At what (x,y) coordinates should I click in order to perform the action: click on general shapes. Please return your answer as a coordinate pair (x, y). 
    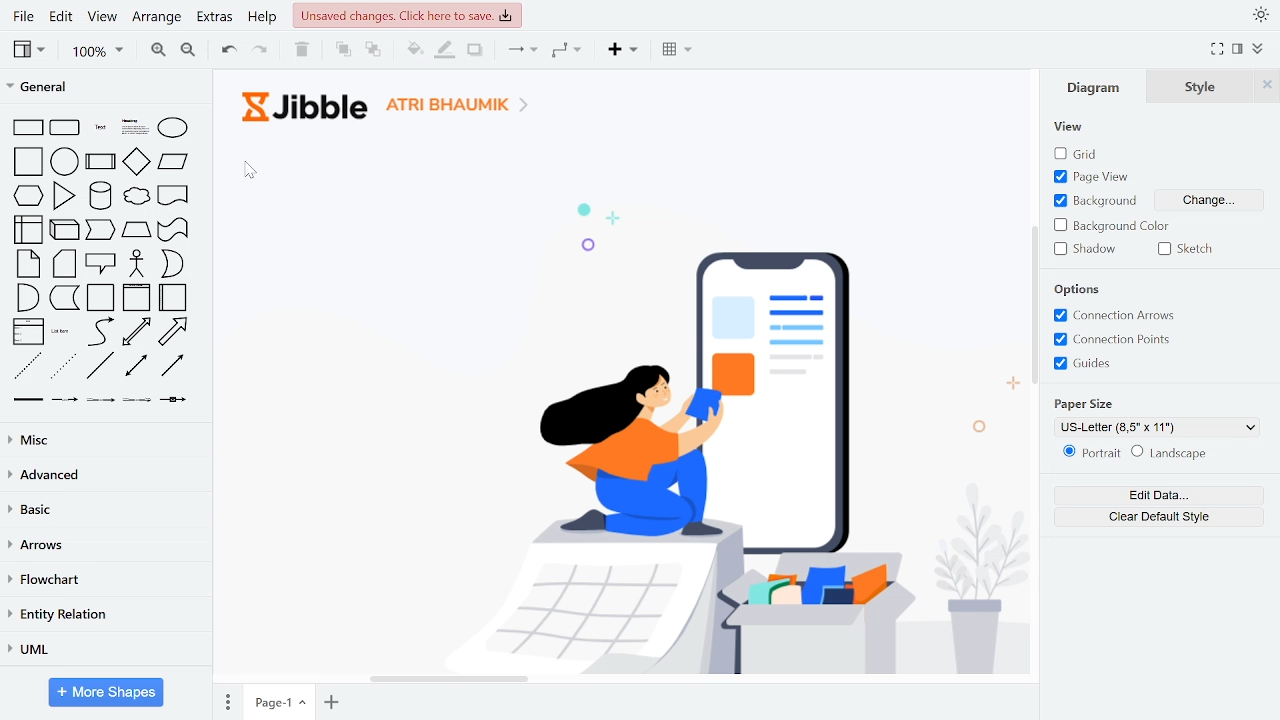
    Looking at the image, I should click on (134, 228).